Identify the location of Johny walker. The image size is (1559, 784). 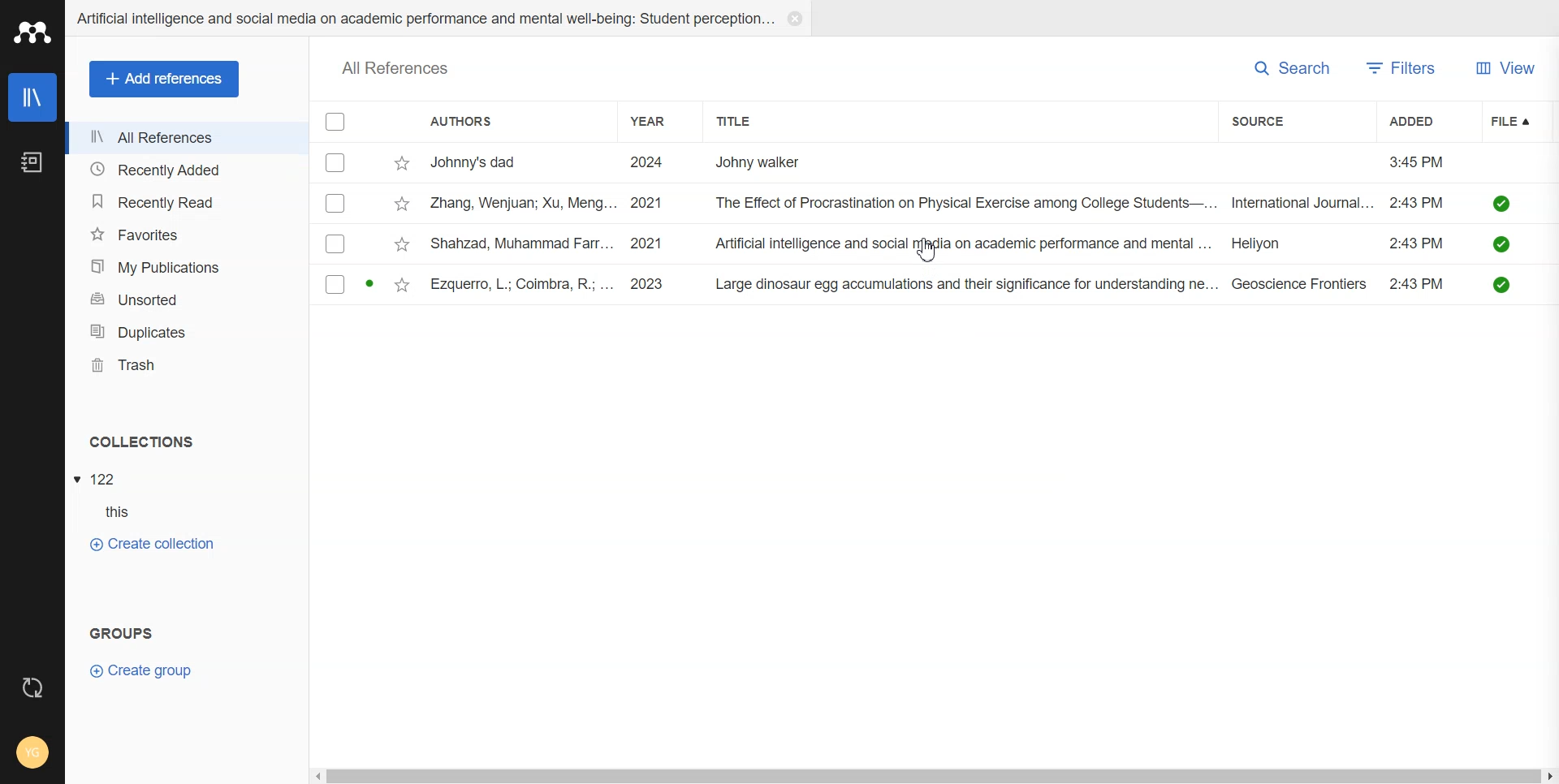
(775, 161).